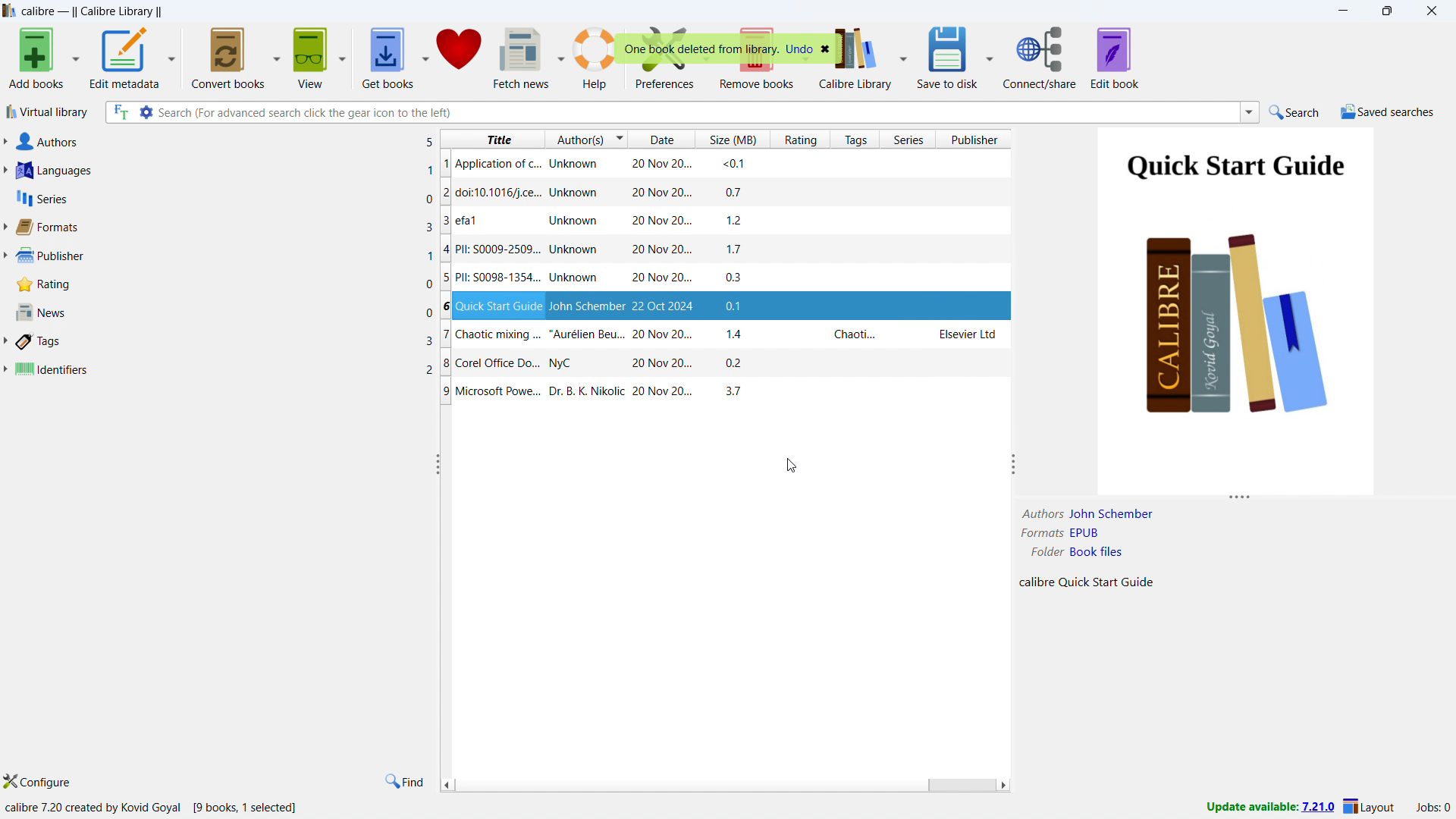 This screenshot has height=819, width=1456. I want to click on resize, so click(1015, 463).